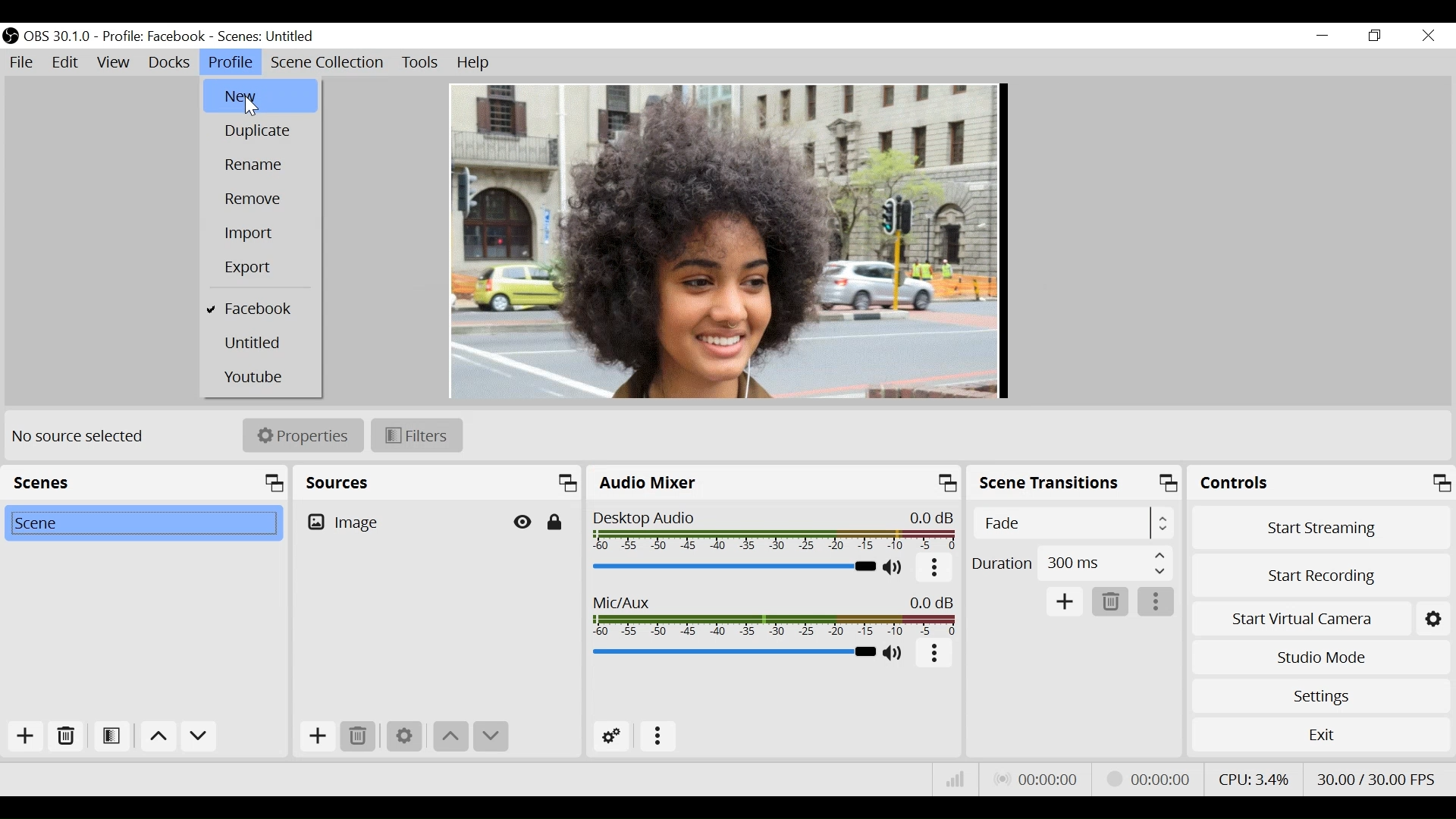 This screenshot has width=1456, height=819. I want to click on Select Scene Transition, so click(1076, 522).